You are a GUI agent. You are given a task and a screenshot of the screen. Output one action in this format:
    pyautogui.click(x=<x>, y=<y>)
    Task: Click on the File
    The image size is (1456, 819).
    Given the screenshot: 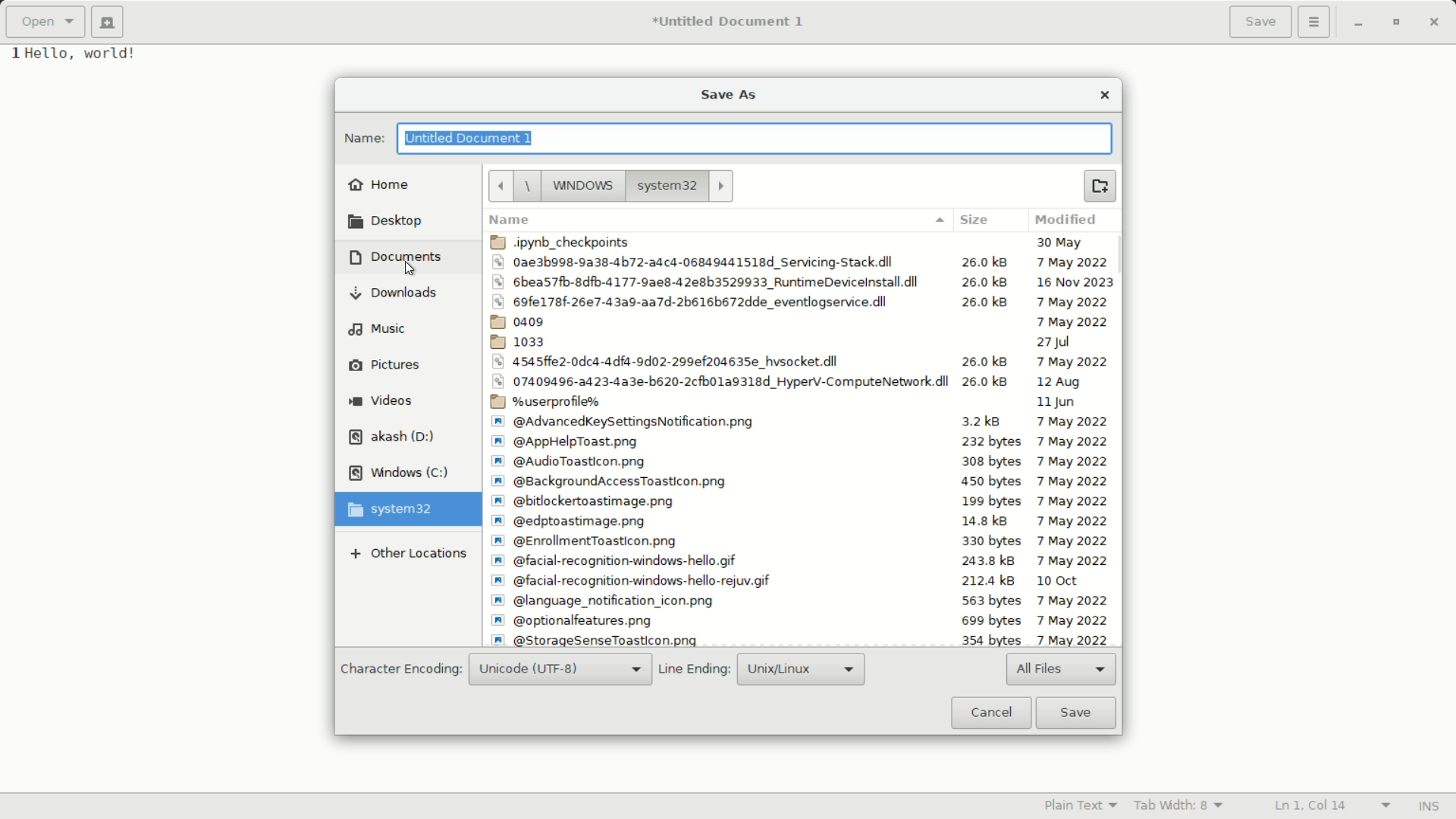 What is the action you would take?
    pyautogui.click(x=799, y=562)
    